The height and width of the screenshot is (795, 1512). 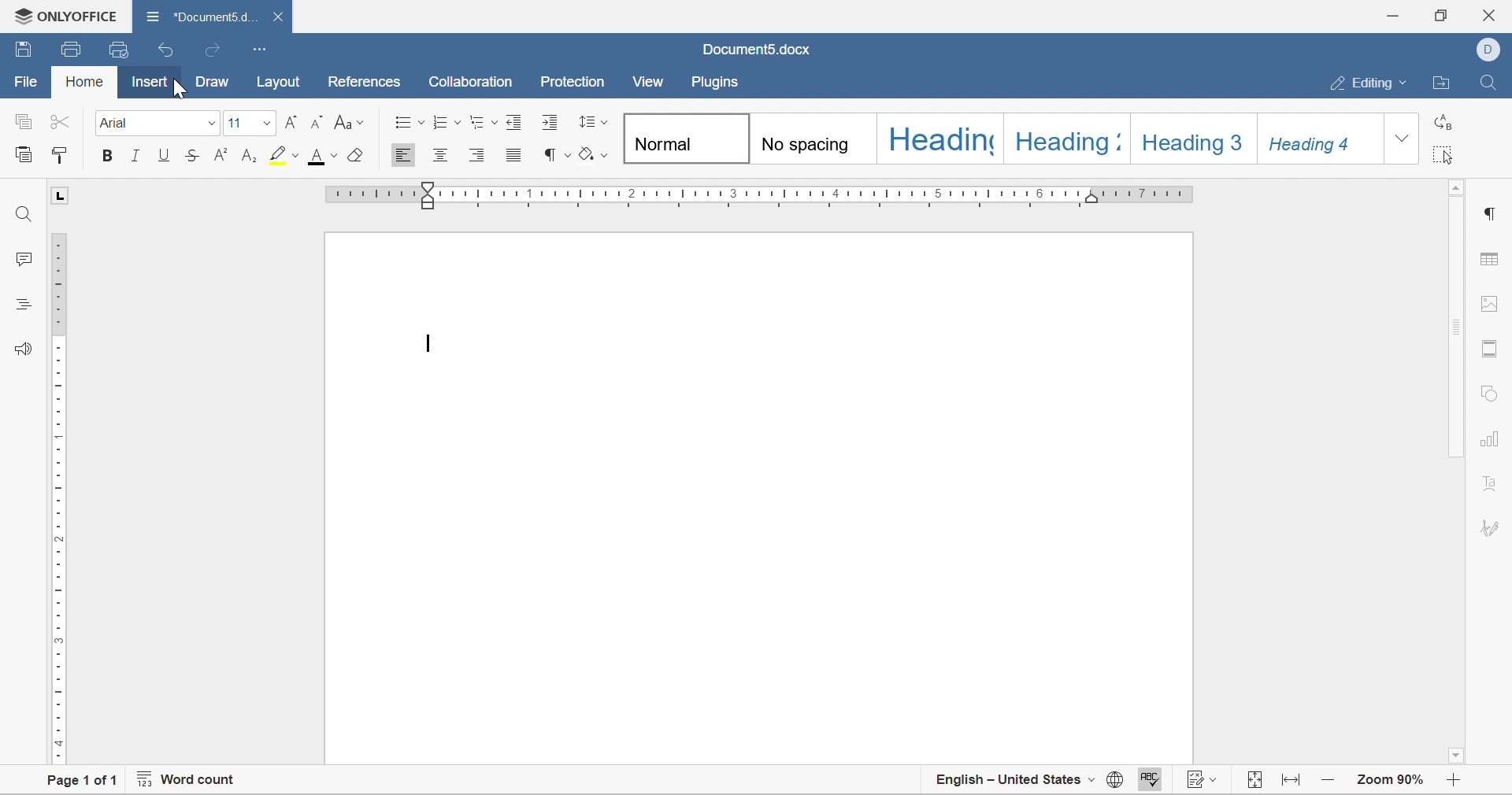 I want to click on decrement font size, so click(x=314, y=122).